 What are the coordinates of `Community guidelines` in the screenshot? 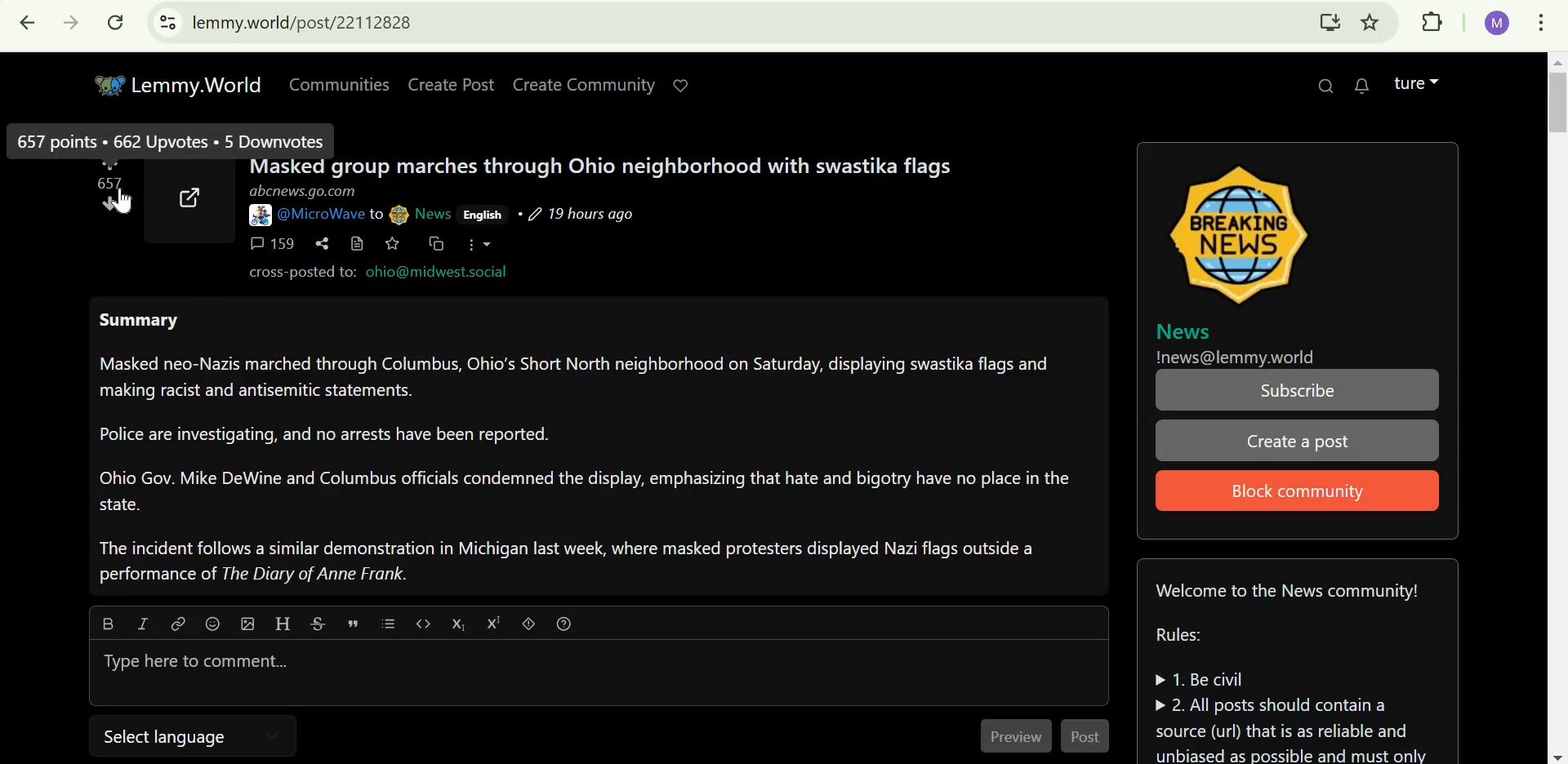 It's located at (1296, 668).